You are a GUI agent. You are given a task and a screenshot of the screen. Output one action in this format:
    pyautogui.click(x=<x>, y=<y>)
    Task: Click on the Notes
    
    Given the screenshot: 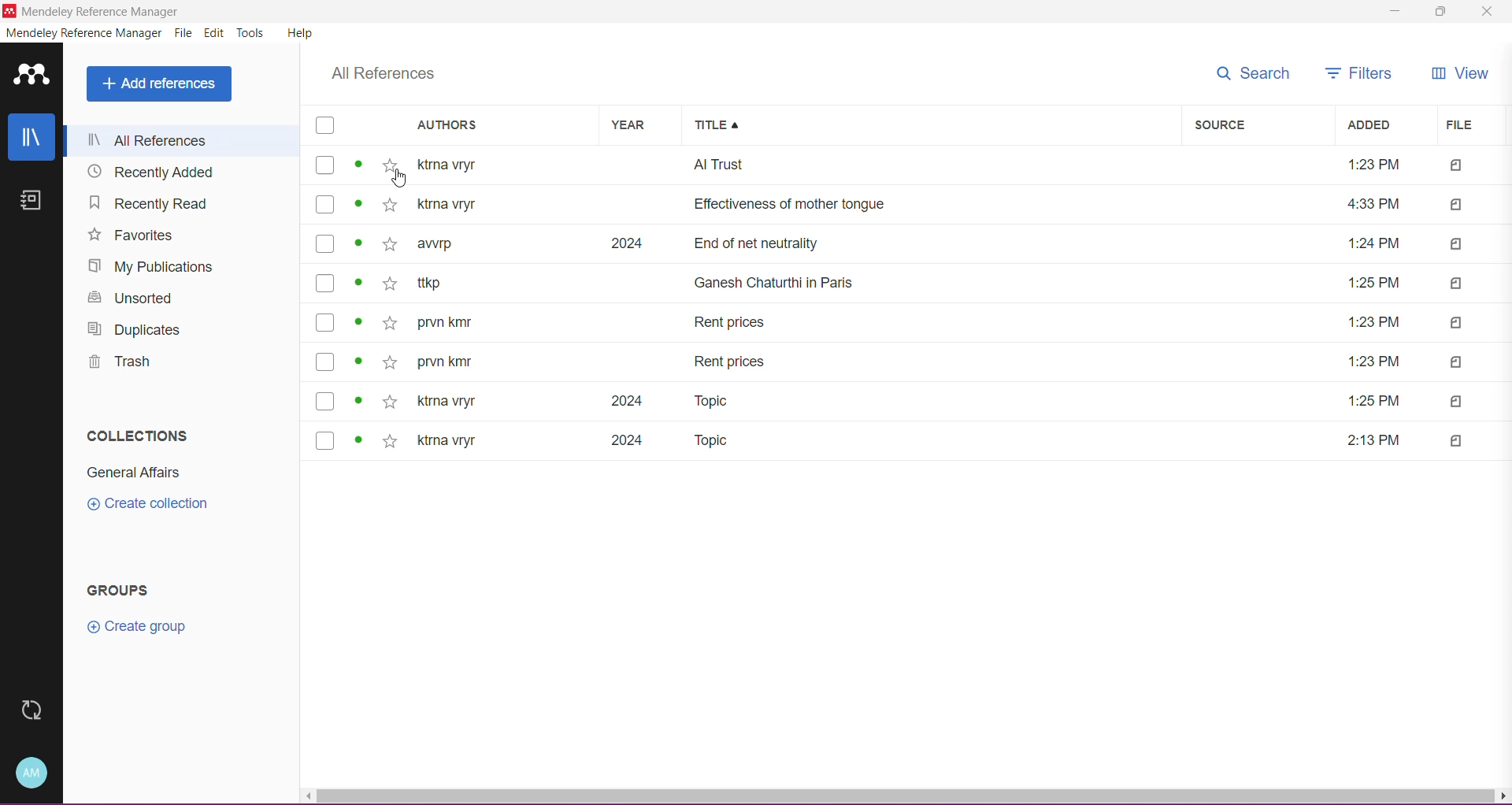 What is the action you would take?
    pyautogui.click(x=31, y=201)
    